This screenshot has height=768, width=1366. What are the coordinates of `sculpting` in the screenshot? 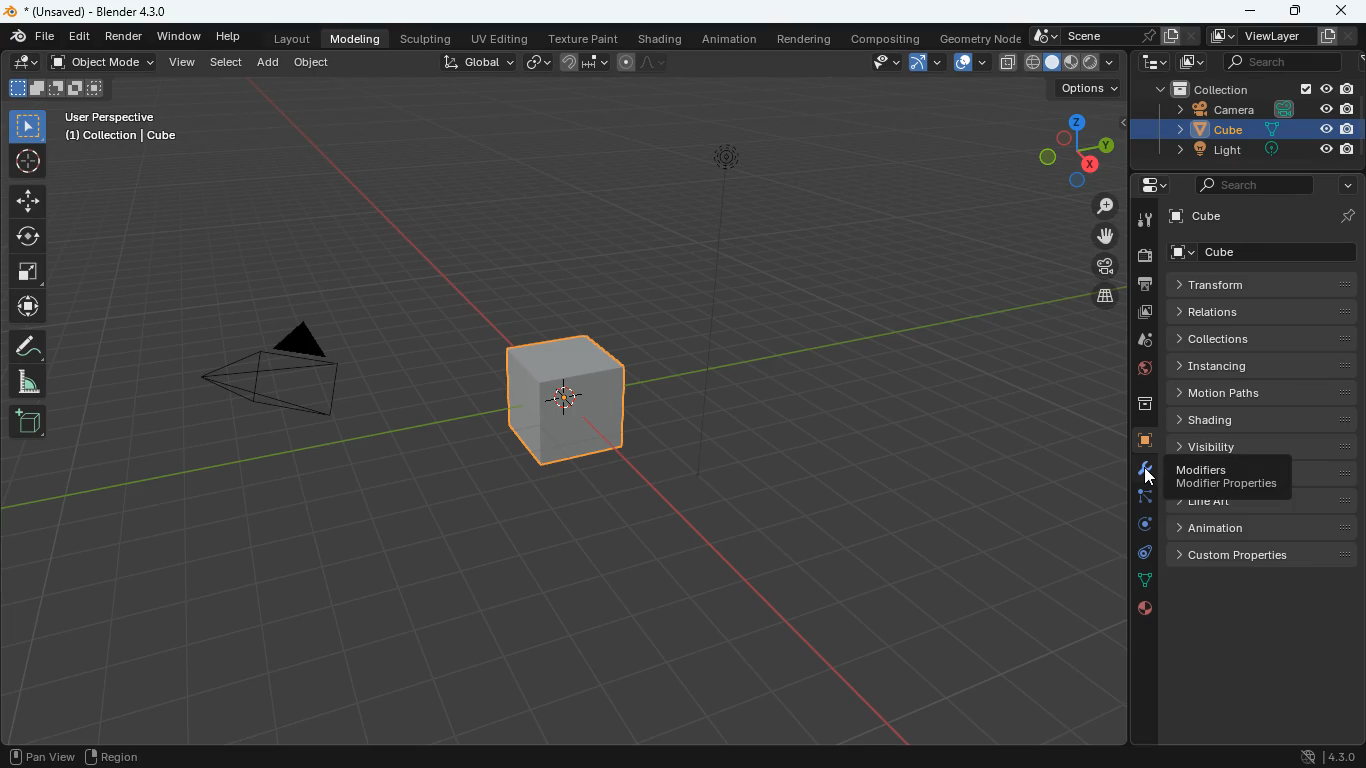 It's located at (429, 38).